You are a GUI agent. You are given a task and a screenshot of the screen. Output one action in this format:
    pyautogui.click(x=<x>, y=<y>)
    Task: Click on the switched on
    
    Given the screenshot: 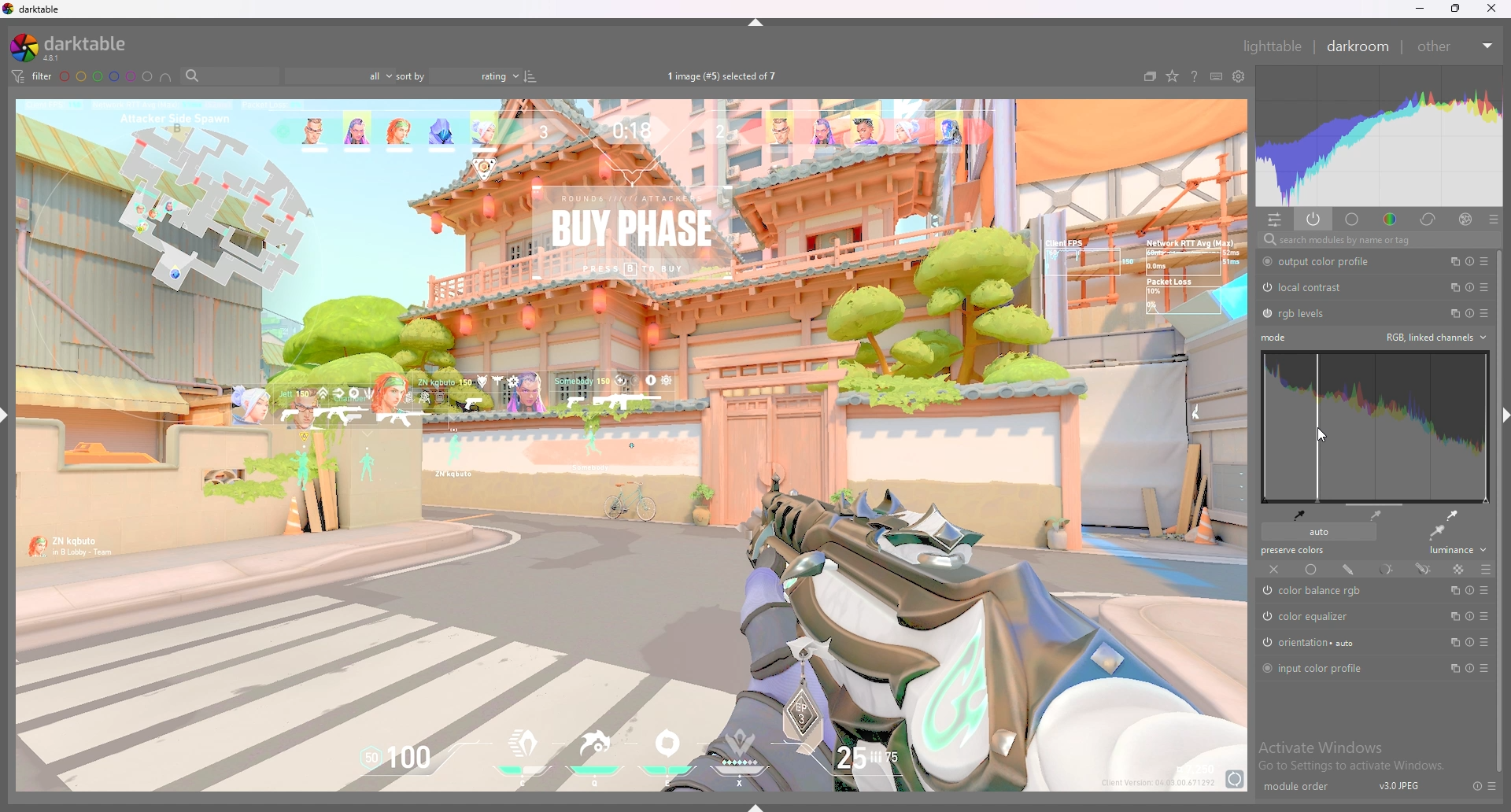 What is the action you would take?
    pyautogui.click(x=1265, y=288)
    